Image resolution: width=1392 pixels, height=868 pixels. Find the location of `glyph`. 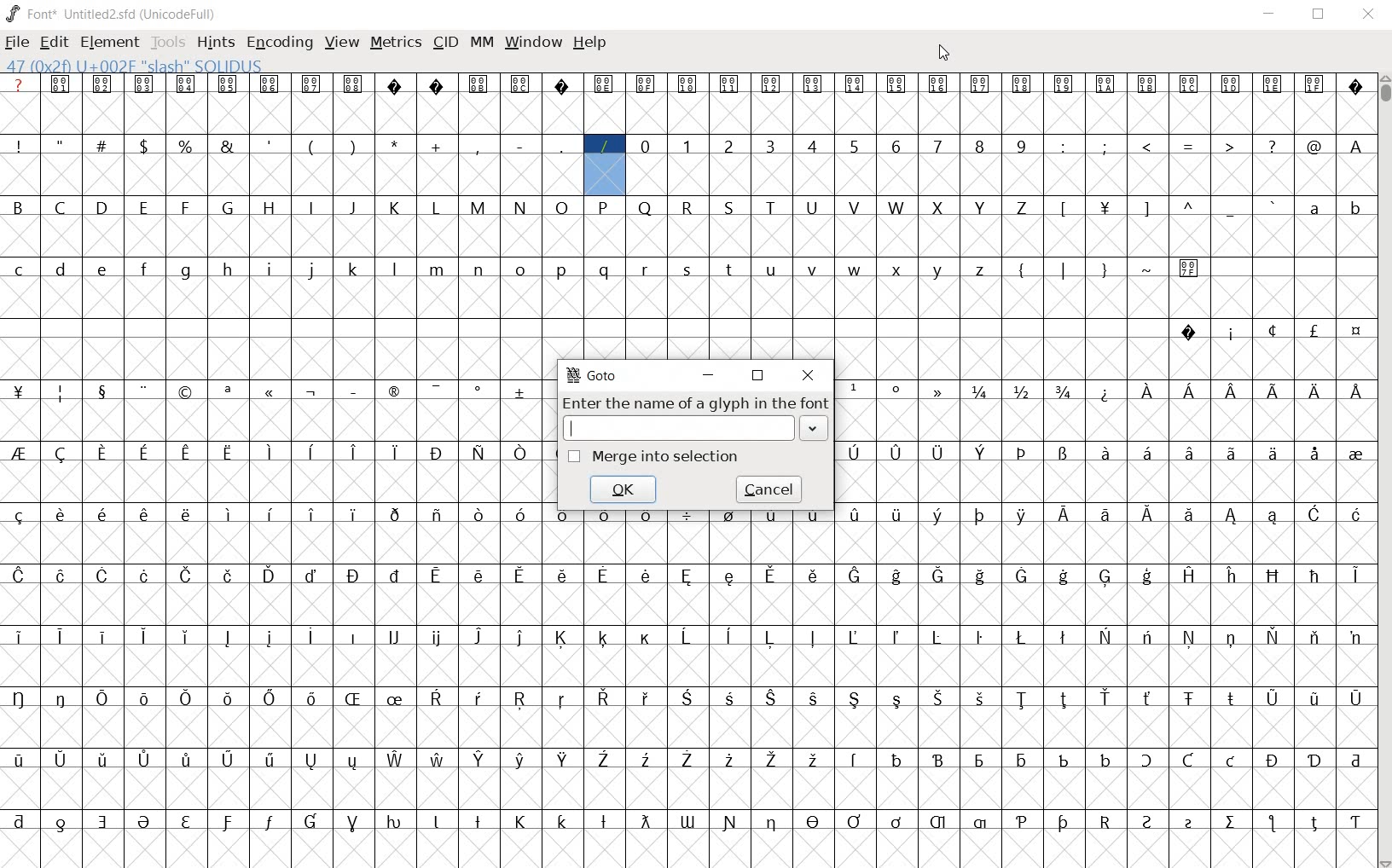

glyph is located at coordinates (311, 821).